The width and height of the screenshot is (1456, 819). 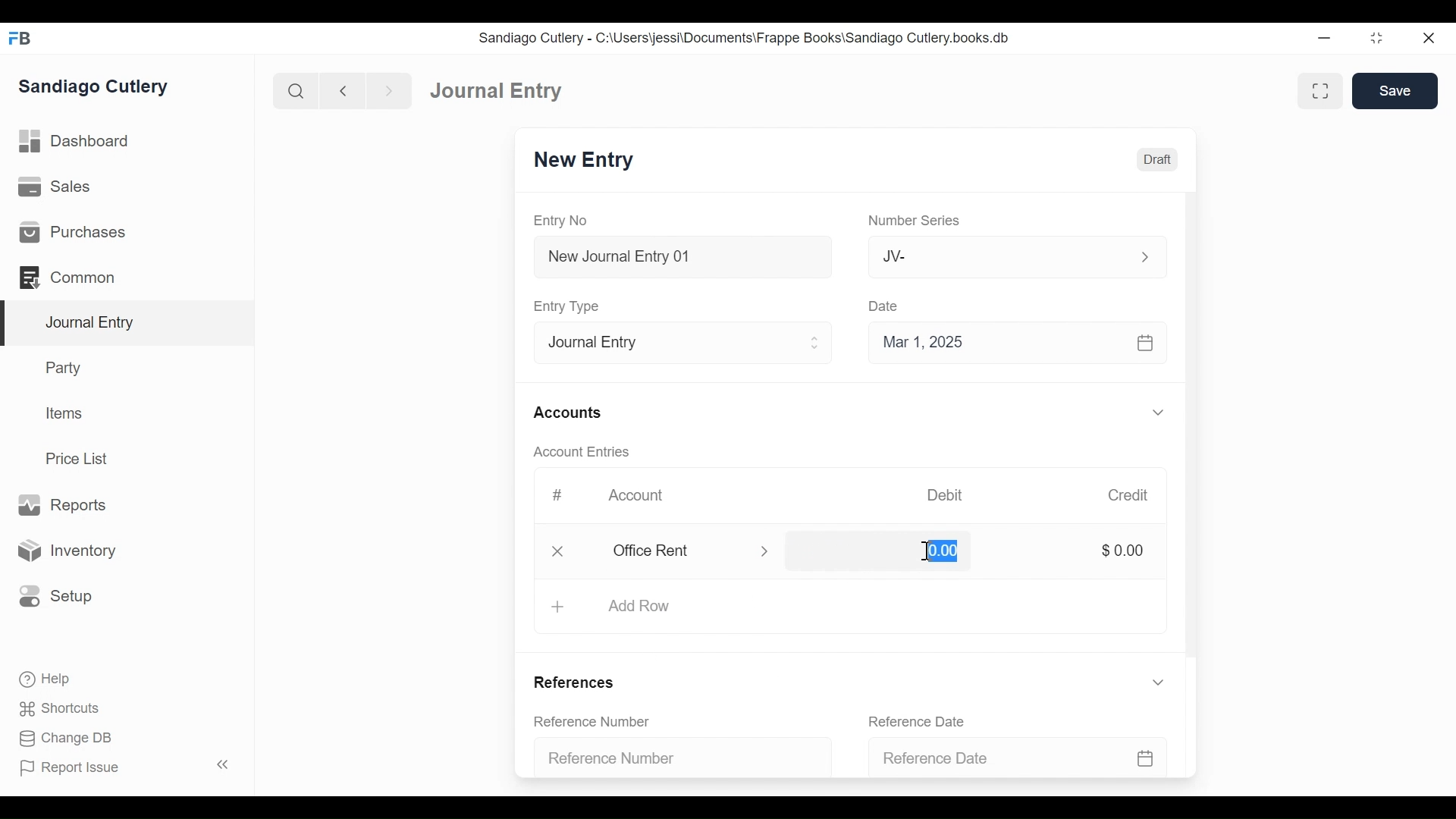 I want to click on minimize, so click(x=1326, y=35).